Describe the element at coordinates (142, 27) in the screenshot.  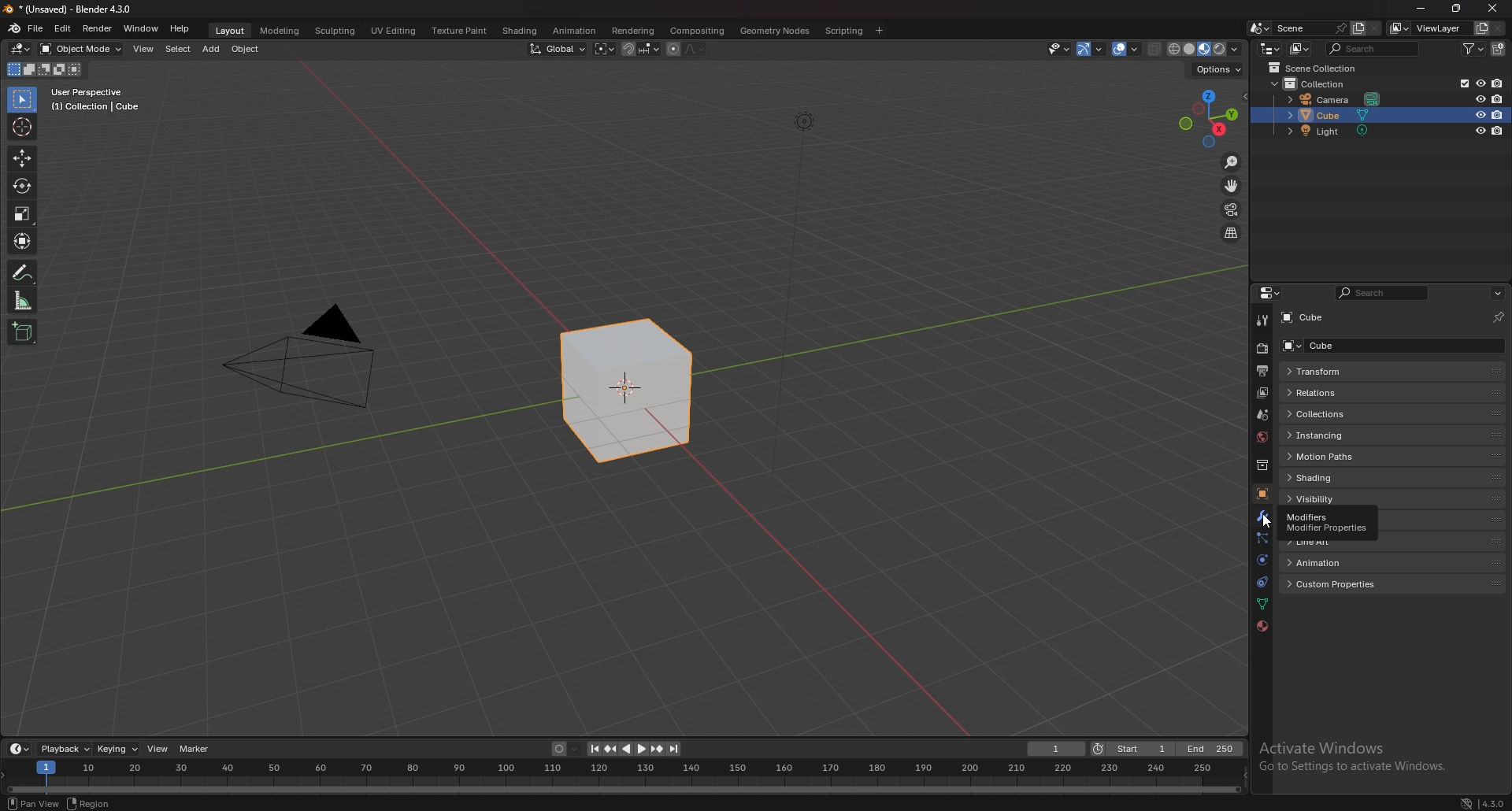
I see `window` at that location.